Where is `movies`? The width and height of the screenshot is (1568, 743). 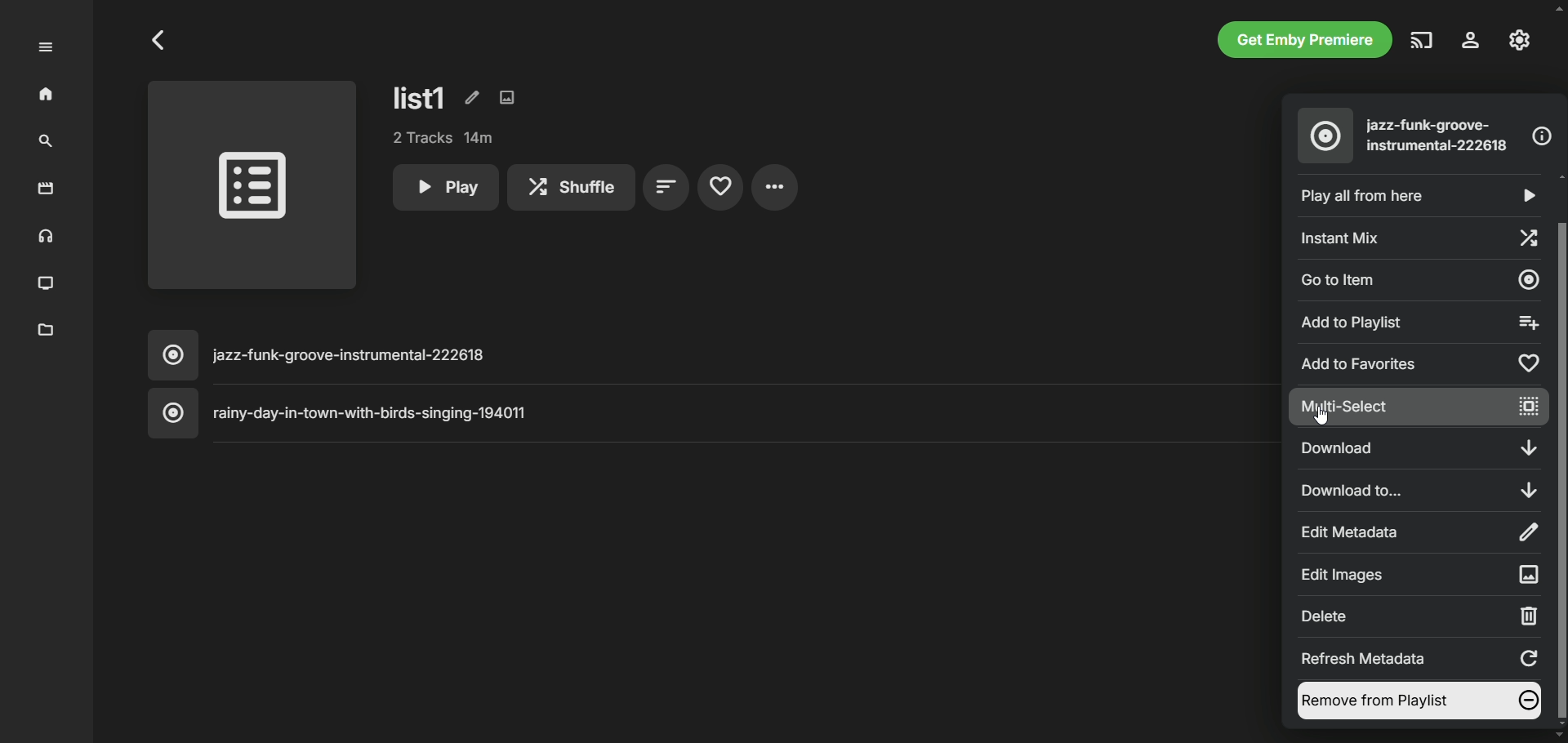 movies is located at coordinates (47, 189).